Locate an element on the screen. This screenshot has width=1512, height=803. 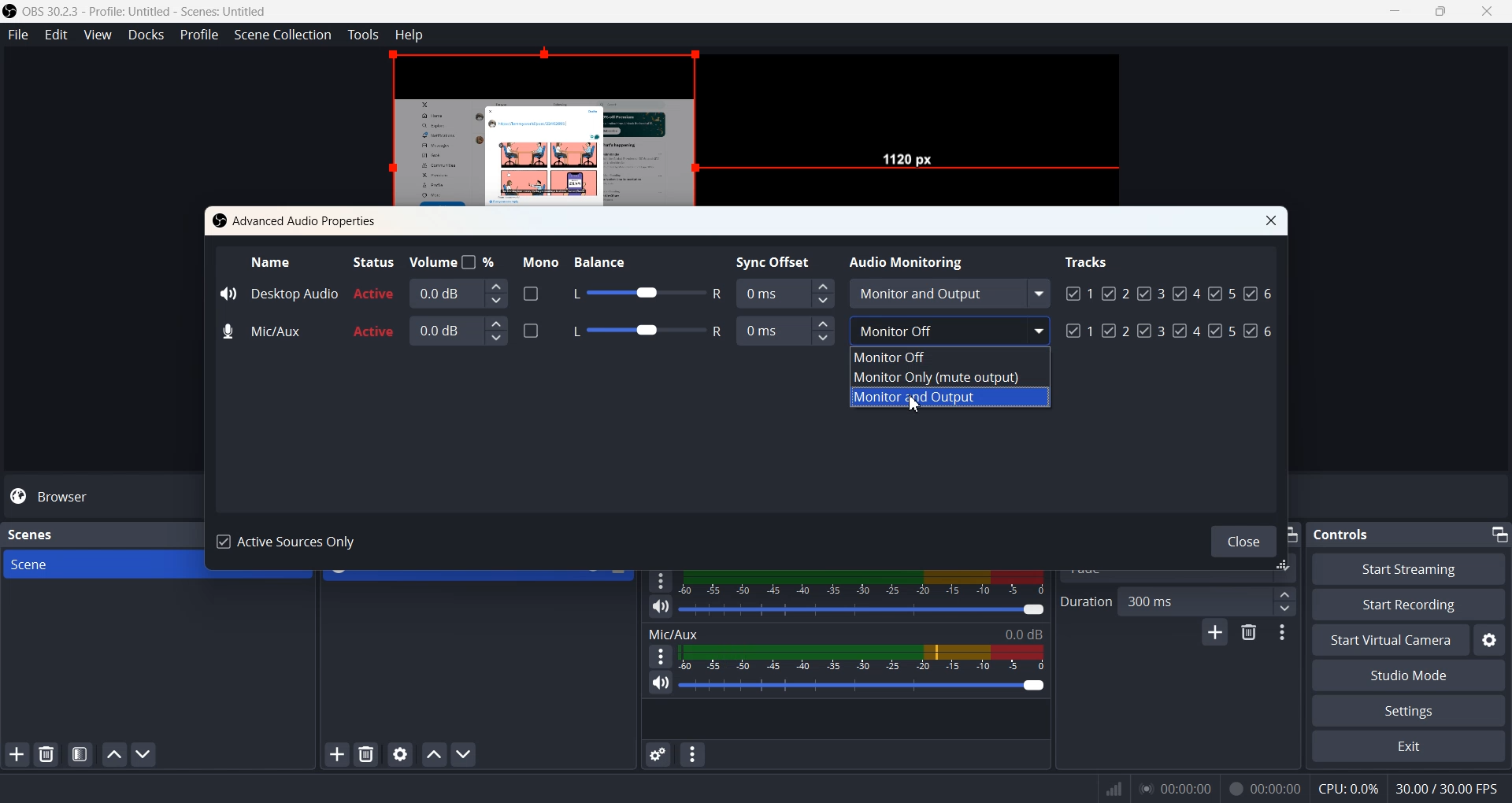
Browser is located at coordinates (101, 496).